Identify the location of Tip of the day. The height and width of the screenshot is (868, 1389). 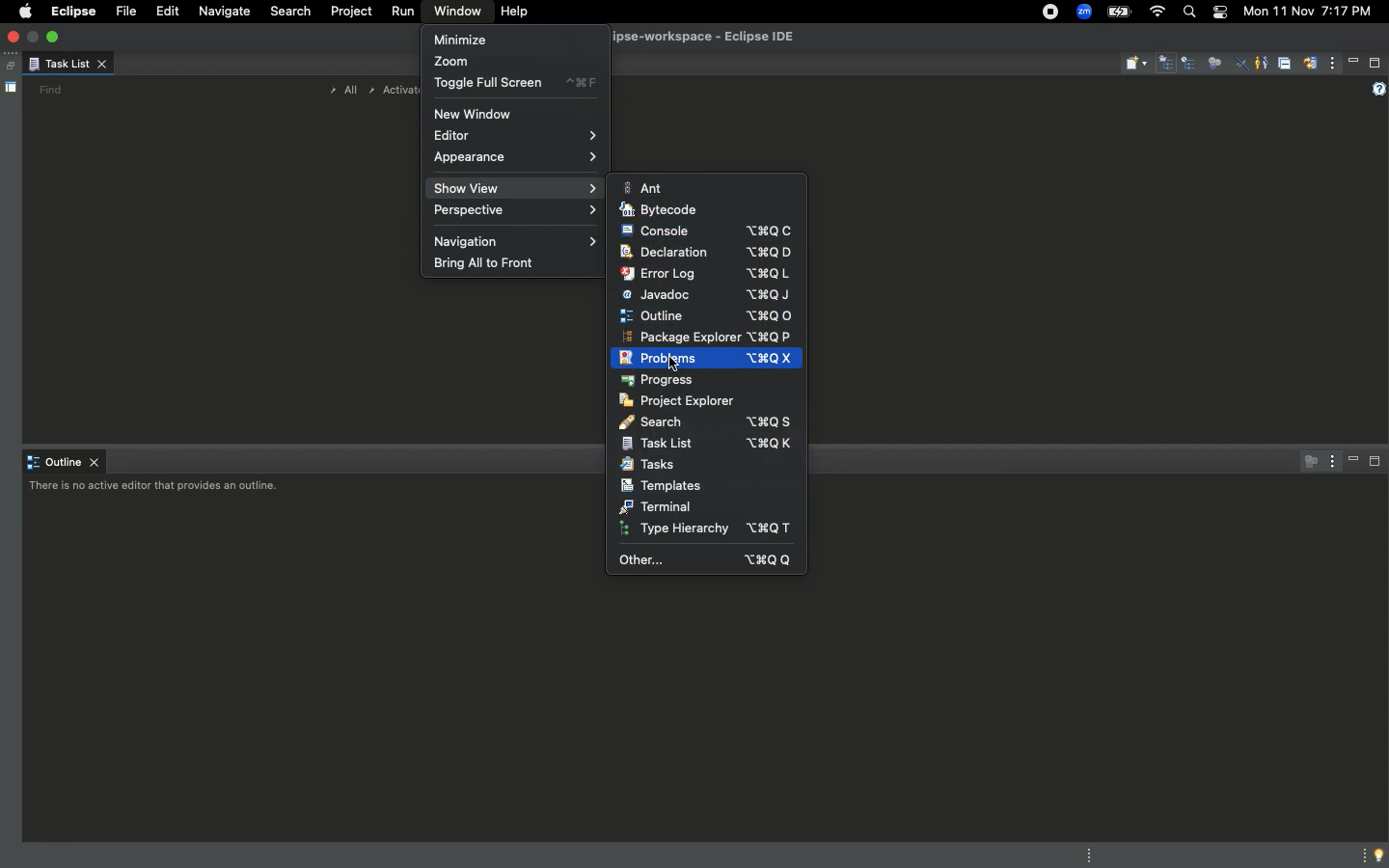
(1380, 855).